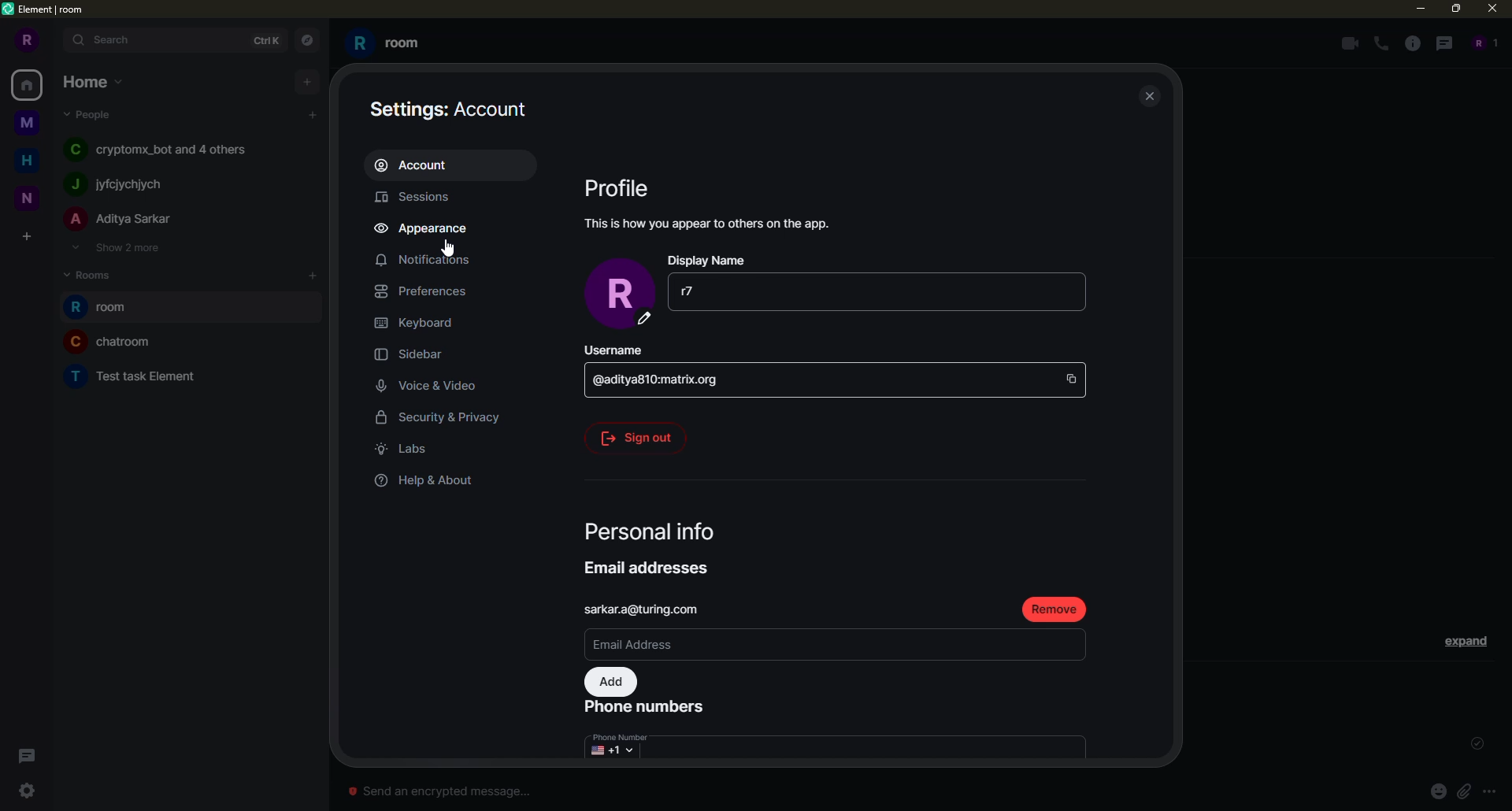  What do you see at coordinates (120, 184) in the screenshot?
I see `people` at bounding box center [120, 184].